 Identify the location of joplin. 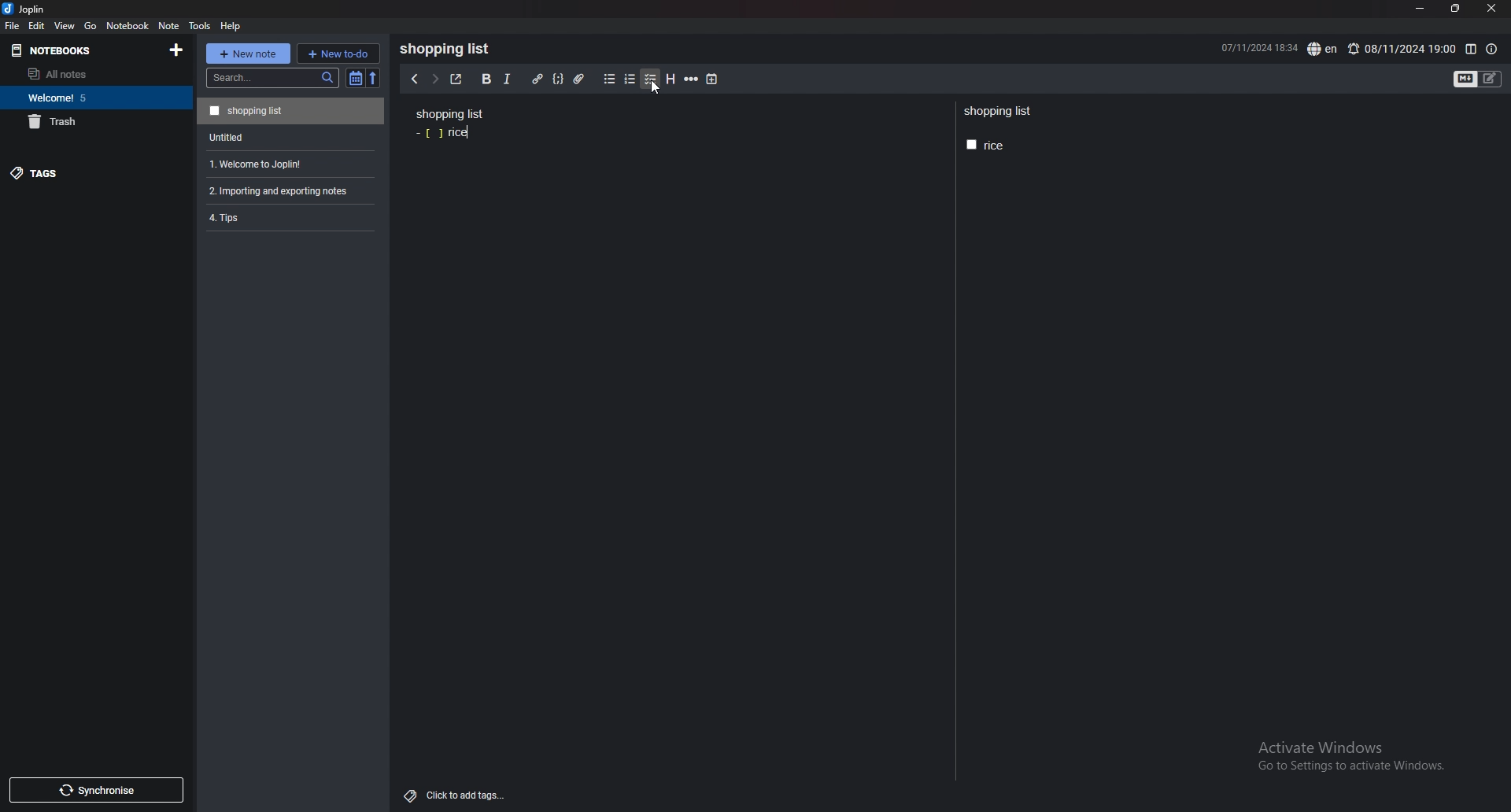
(27, 9).